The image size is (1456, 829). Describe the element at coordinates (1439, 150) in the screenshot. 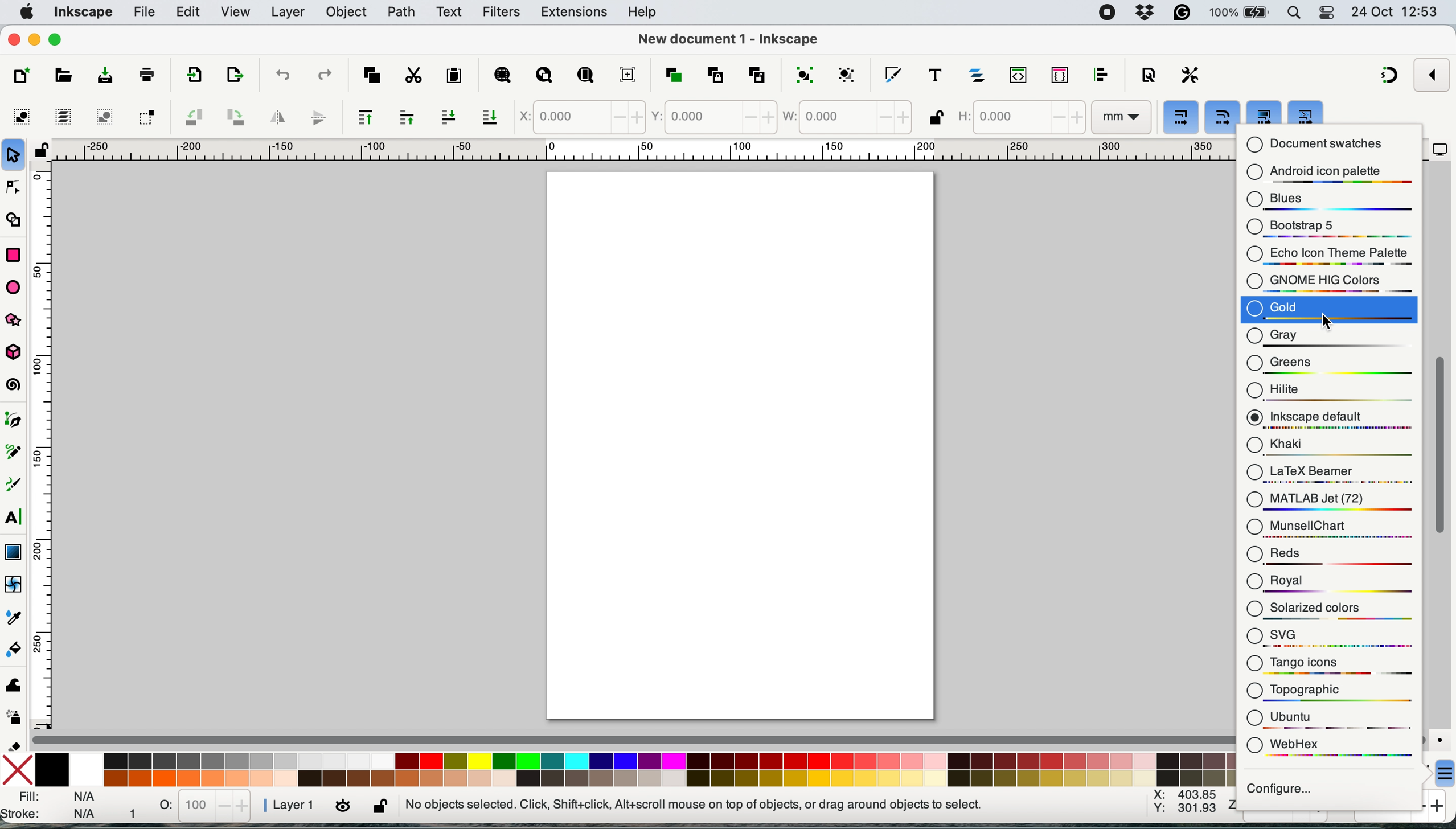

I see `display options` at that location.